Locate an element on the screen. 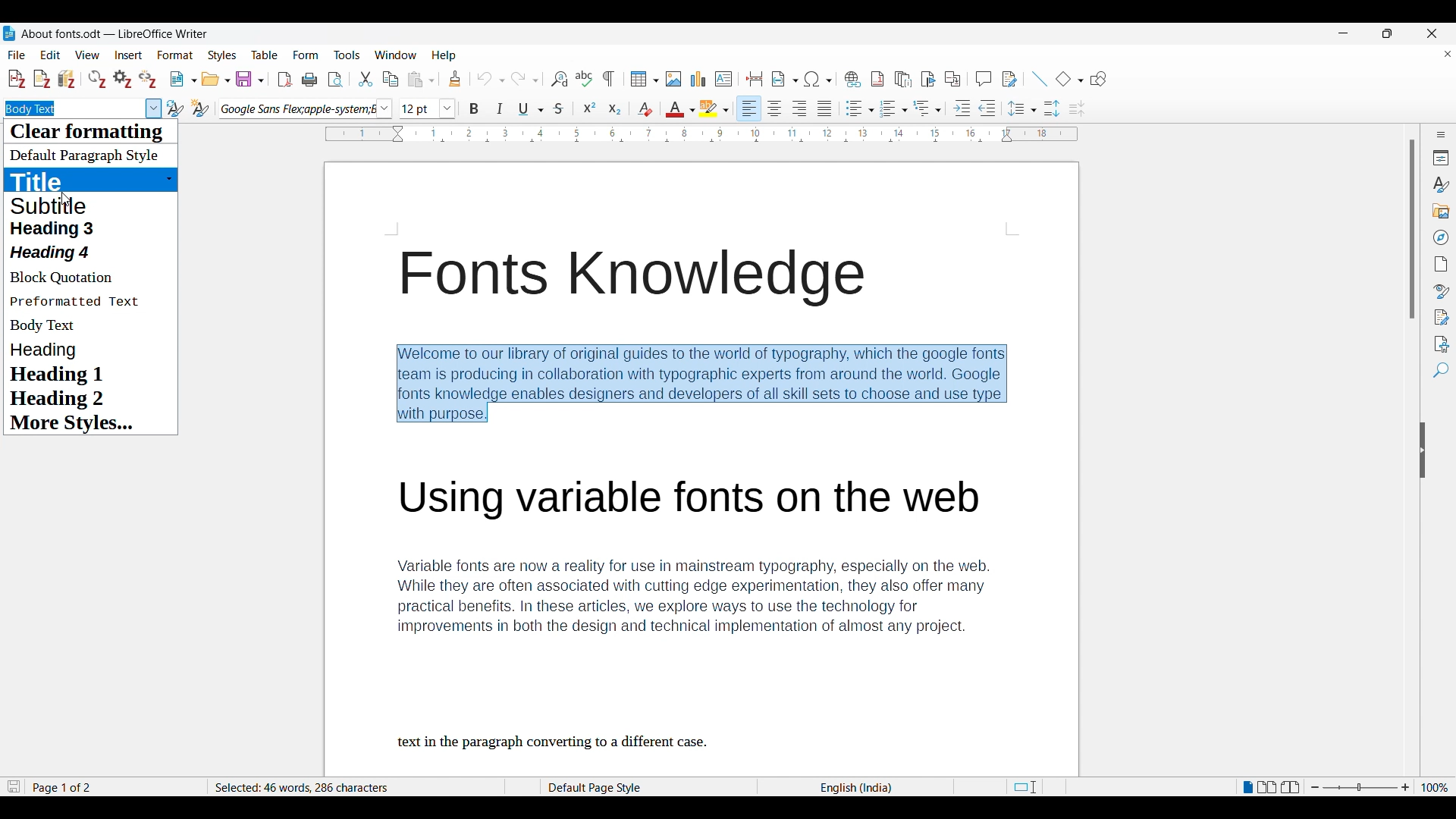 This screenshot has width=1456, height=819. Style inspector is located at coordinates (1442, 291).